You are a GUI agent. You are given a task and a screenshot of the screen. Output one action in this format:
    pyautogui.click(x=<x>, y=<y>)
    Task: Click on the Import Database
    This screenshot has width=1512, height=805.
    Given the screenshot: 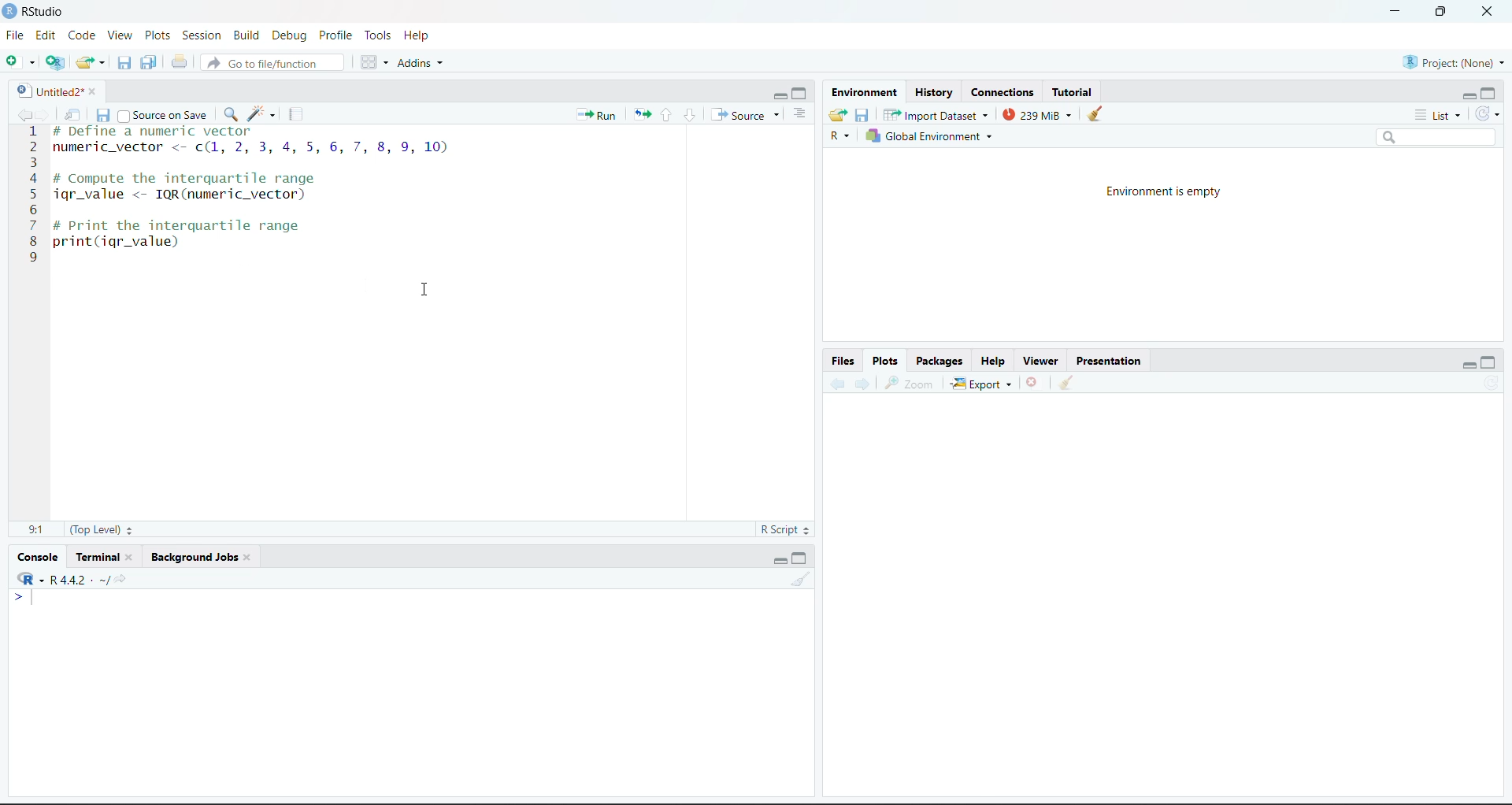 What is the action you would take?
    pyautogui.click(x=937, y=116)
    